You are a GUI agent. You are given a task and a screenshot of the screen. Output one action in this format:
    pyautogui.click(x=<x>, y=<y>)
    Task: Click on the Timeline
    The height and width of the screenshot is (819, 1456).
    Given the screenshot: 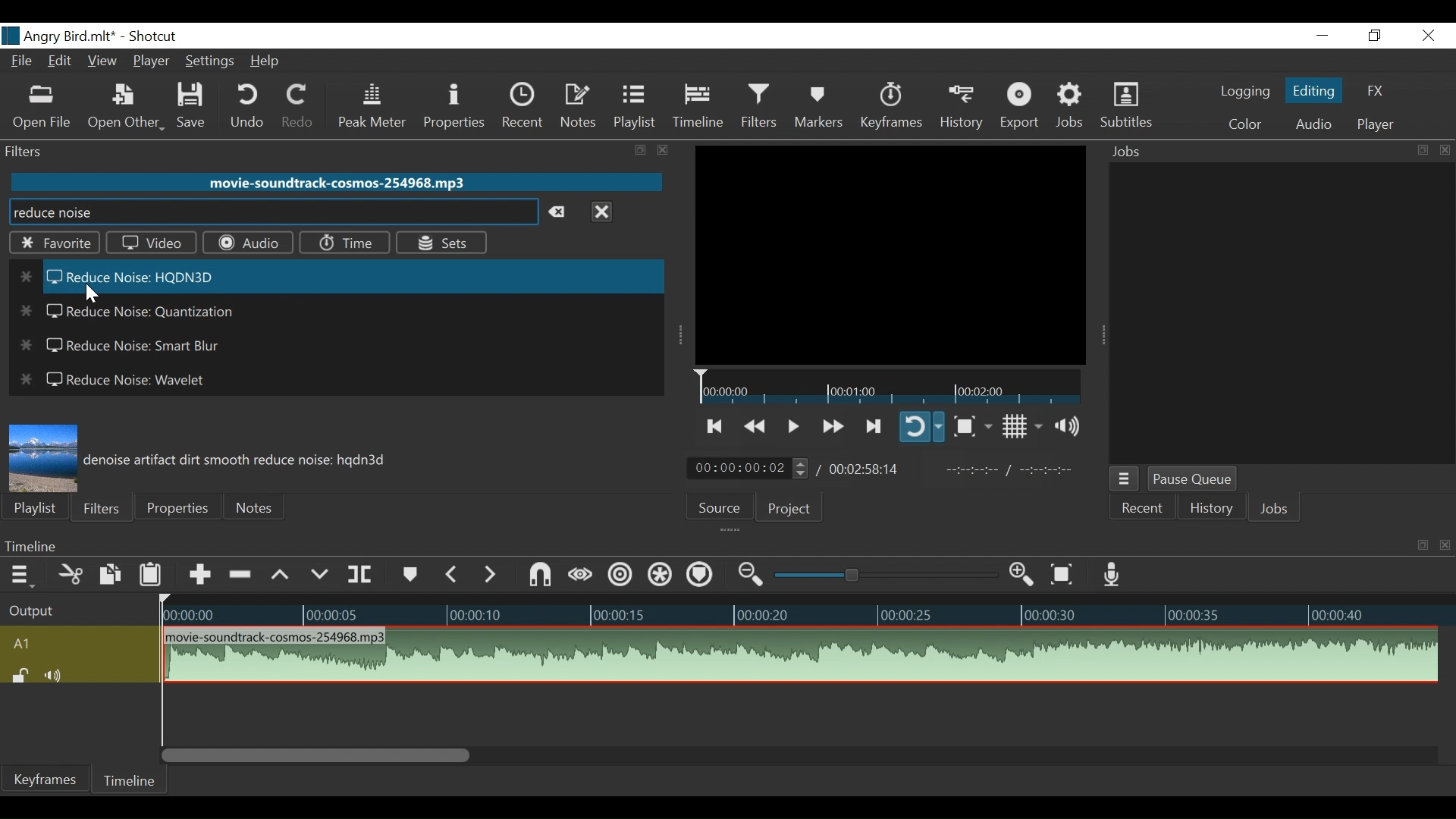 What is the action you would take?
    pyautogui.click(x=888, y=387)
    